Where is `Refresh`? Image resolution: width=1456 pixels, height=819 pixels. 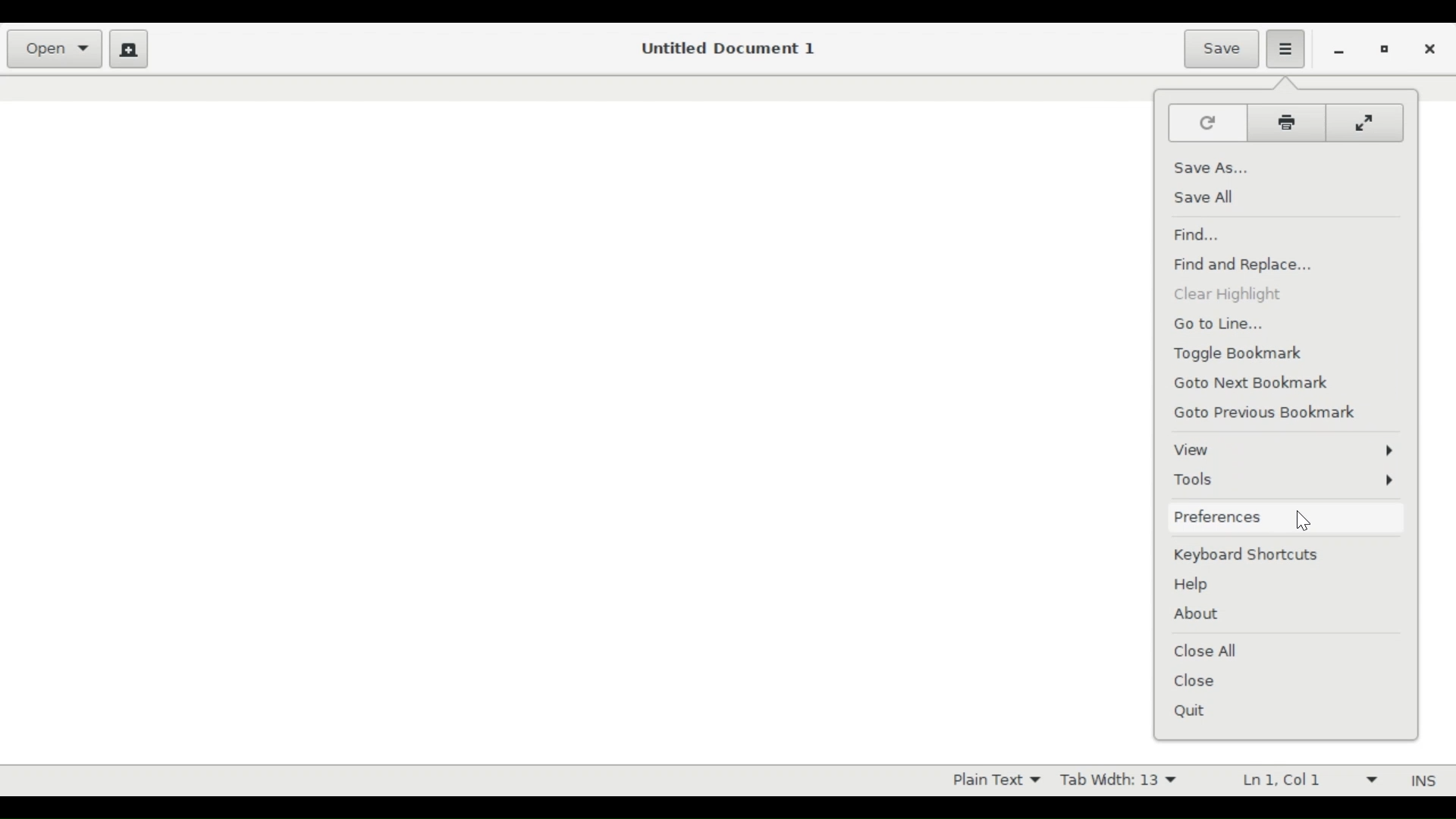
Refresh is located at coordinates (1207, 122).